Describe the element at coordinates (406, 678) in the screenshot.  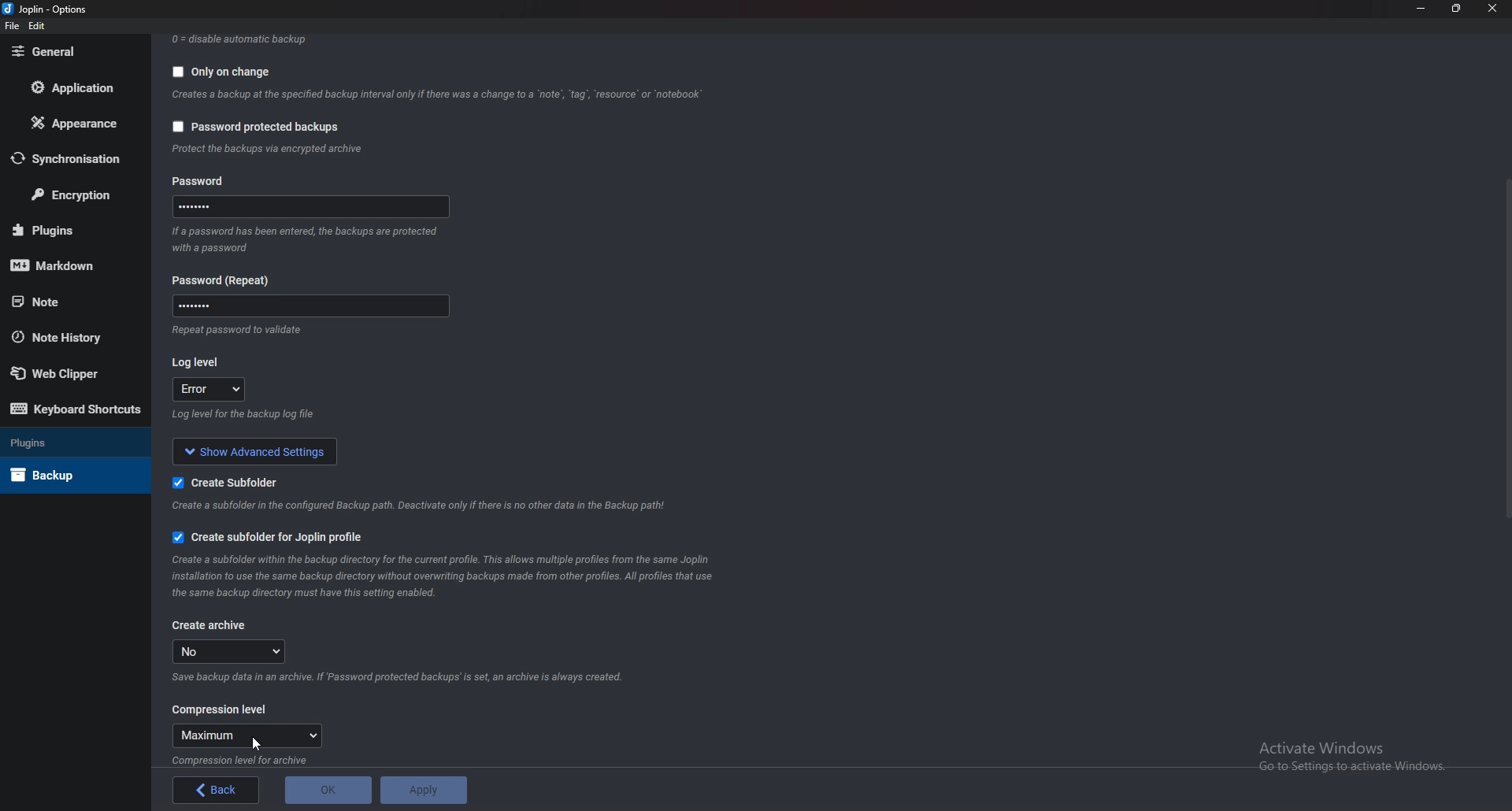
I see `Info` at that location.